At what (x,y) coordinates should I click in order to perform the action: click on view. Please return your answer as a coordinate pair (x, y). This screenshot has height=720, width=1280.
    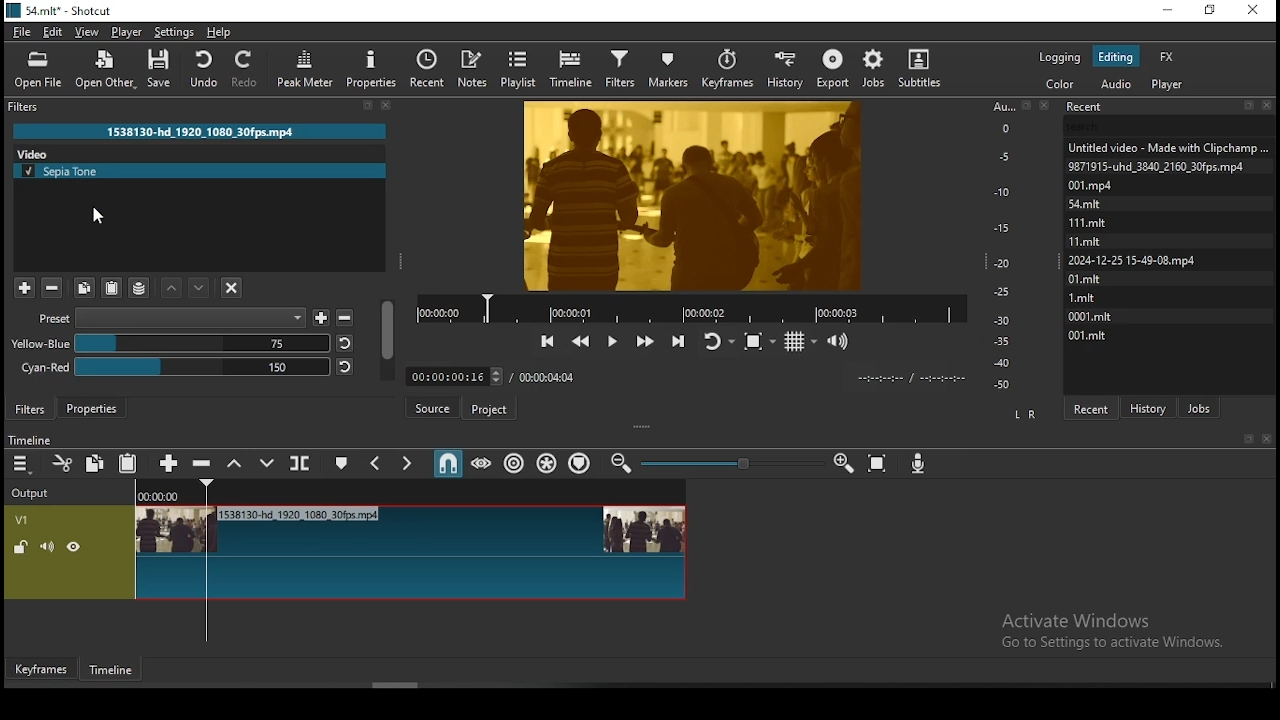
    Looking at the image, I should click on (89, 32).